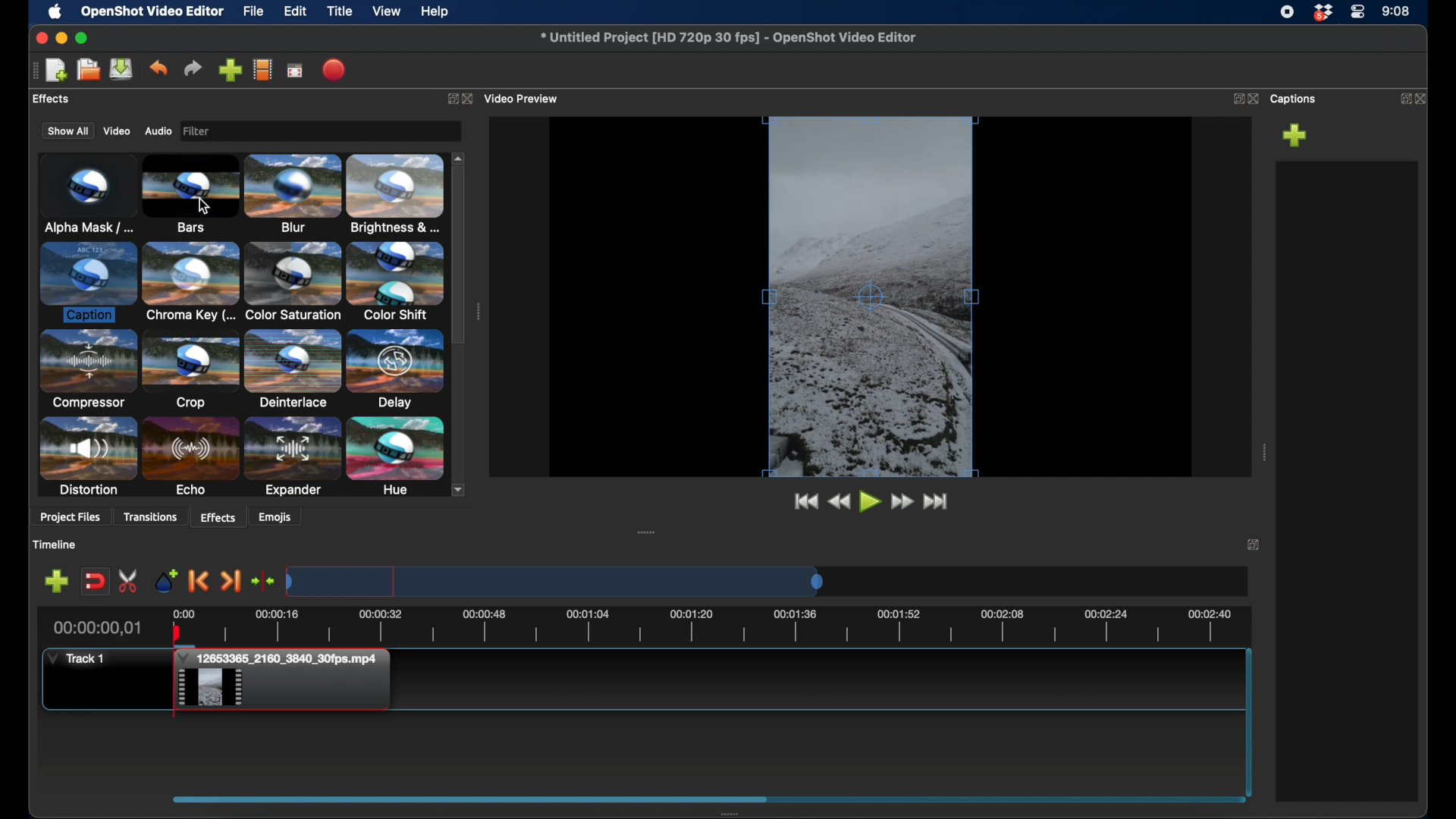 The height and width of the screenshot is (819, 1456). I want to click on close, so click(1254, 99).